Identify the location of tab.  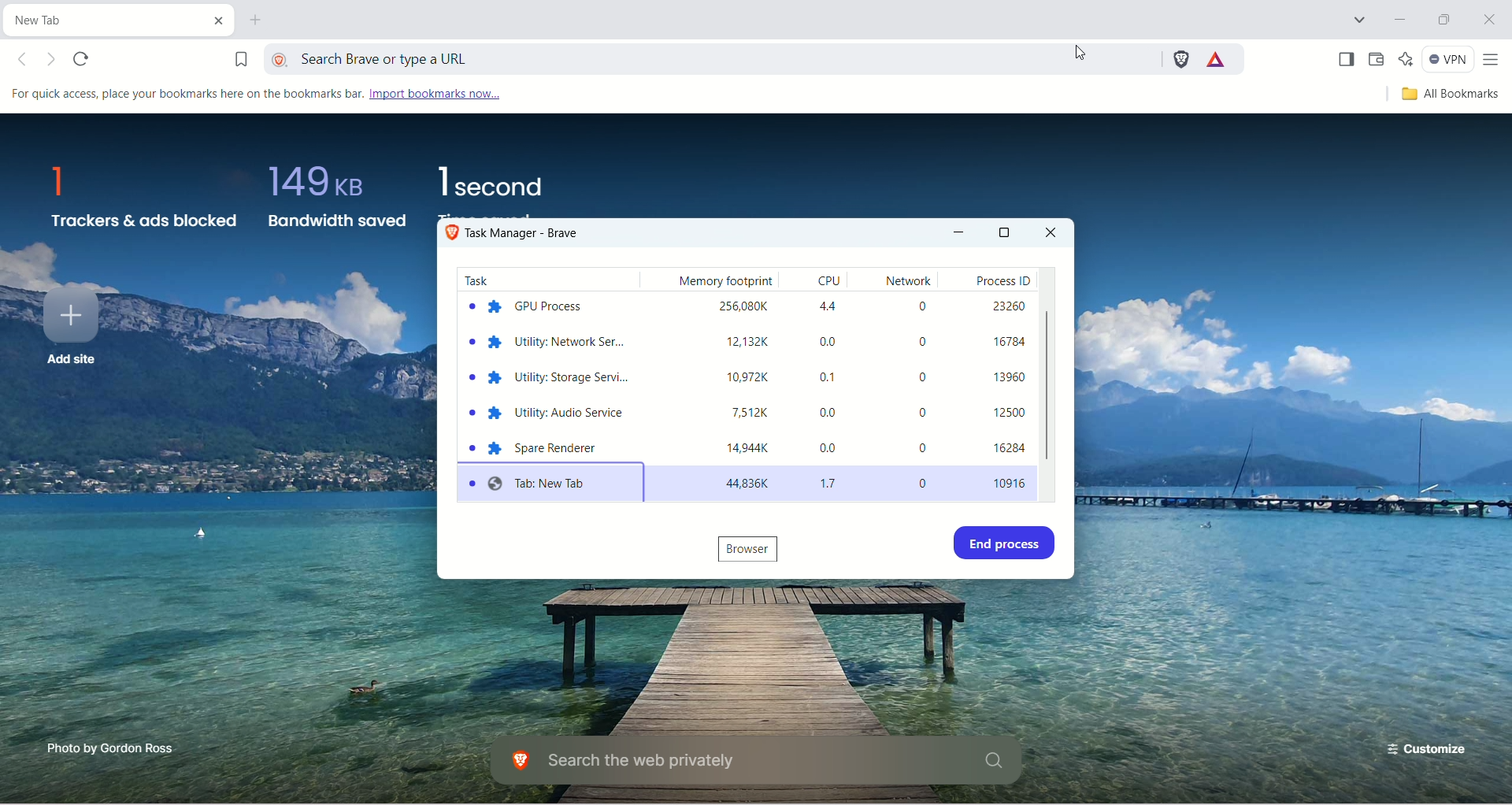
(554, 483).